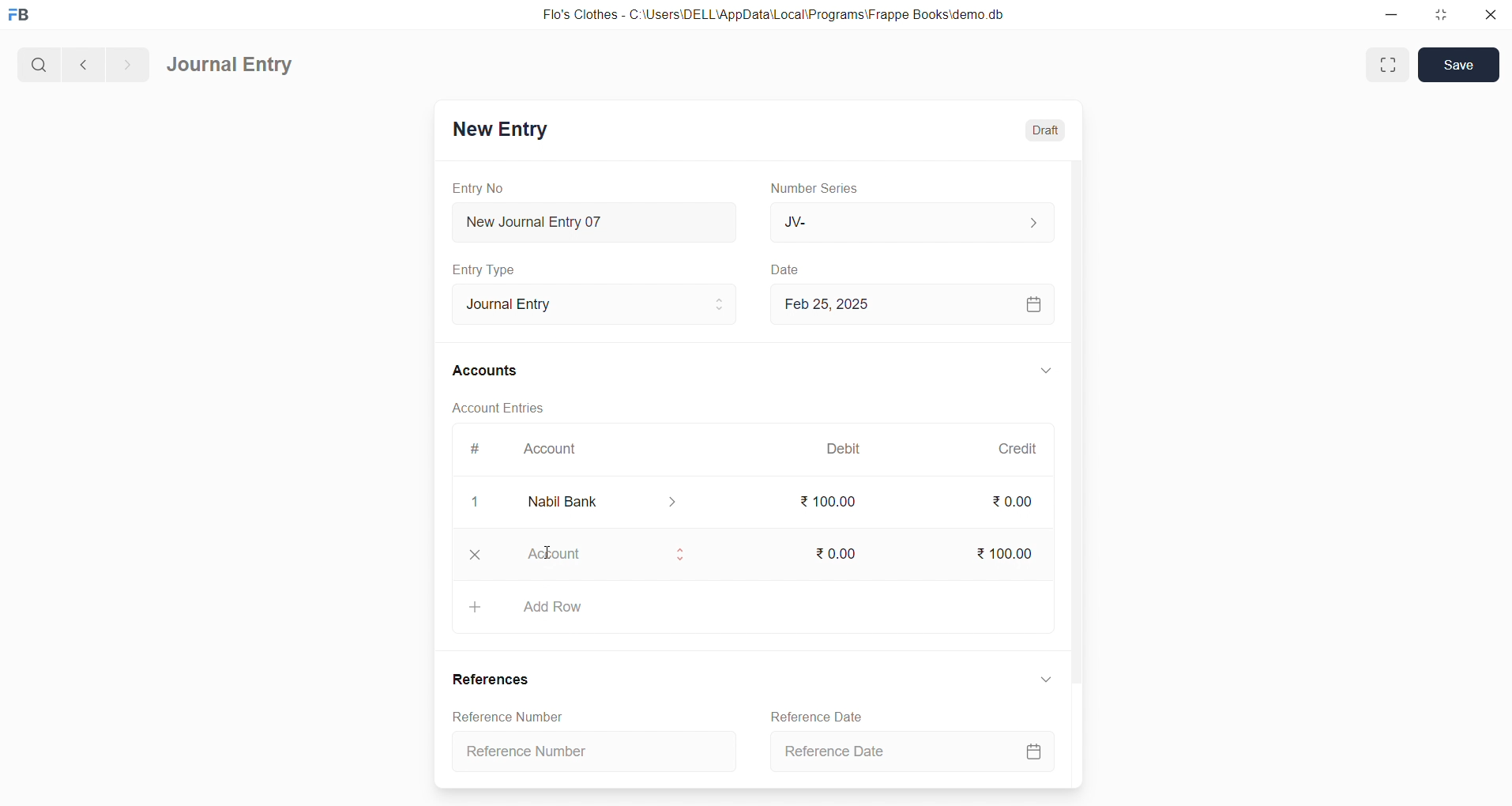  I want to click on Reference Number, so click(509, 717).